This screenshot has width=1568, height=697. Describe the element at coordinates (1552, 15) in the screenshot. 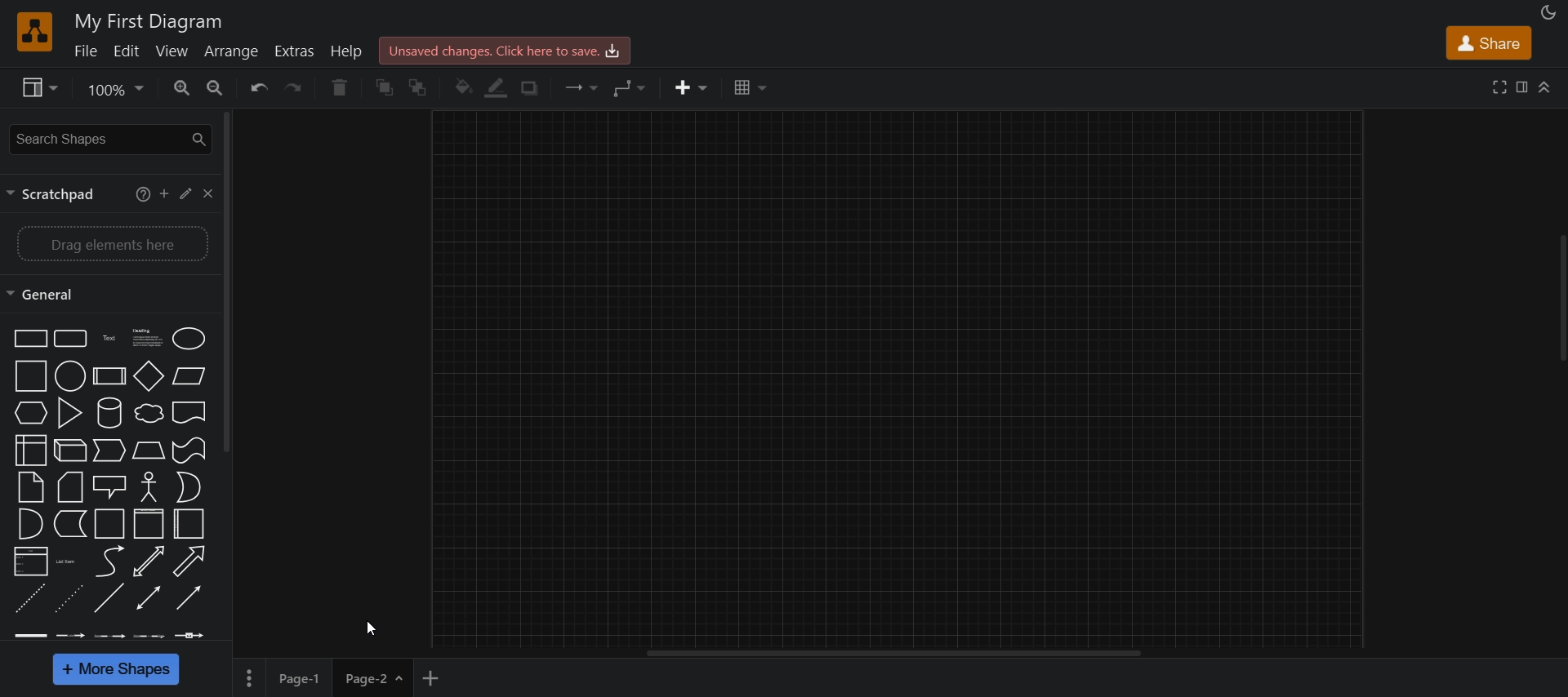

I see `mode` at that location.